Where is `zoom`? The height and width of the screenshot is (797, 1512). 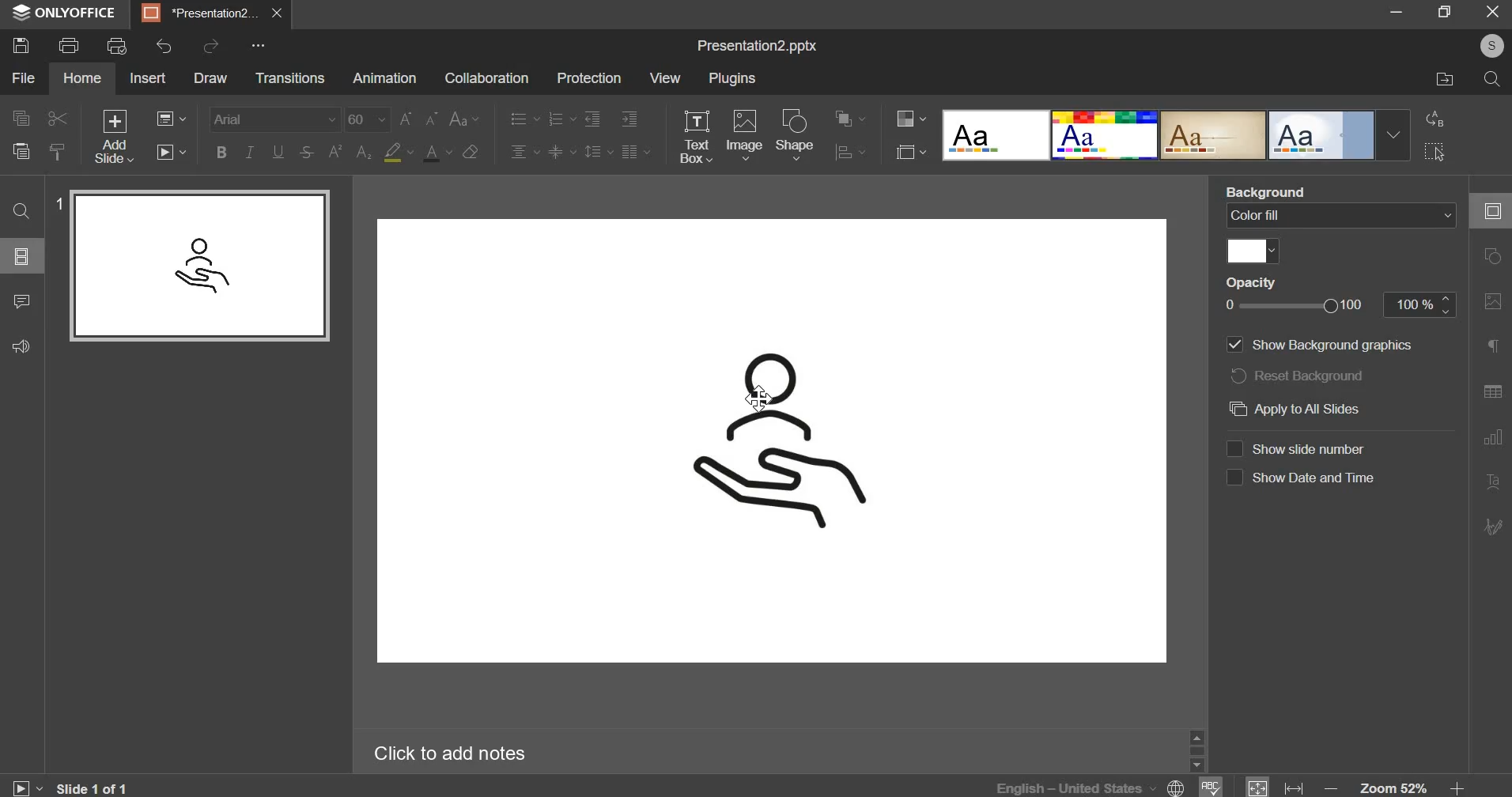 zoom is located at coordinates (1397, 785).